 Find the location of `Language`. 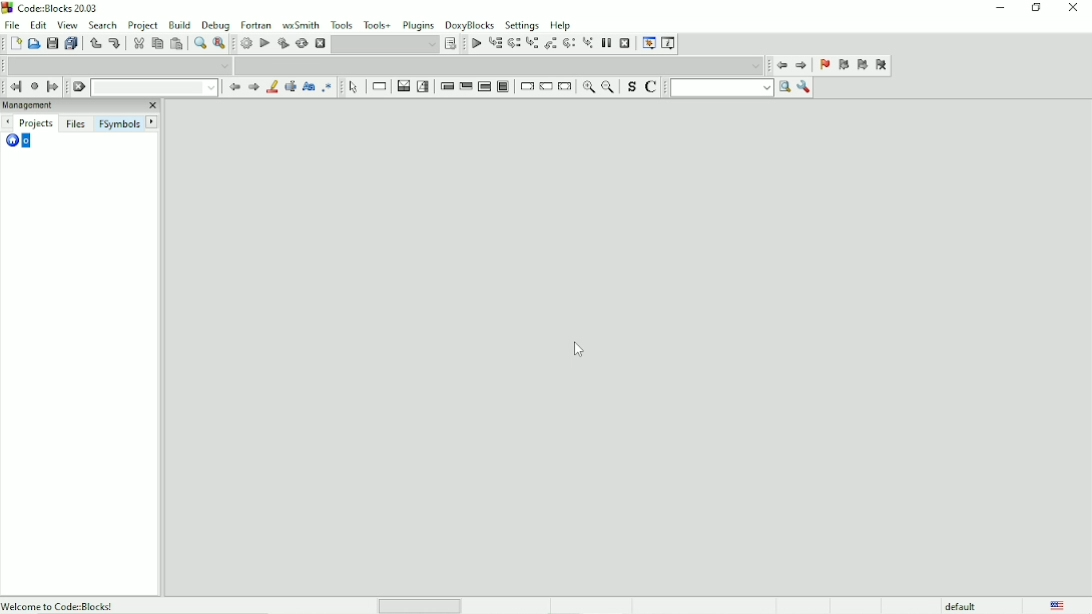

Language is located at coordinates (1057, 605).